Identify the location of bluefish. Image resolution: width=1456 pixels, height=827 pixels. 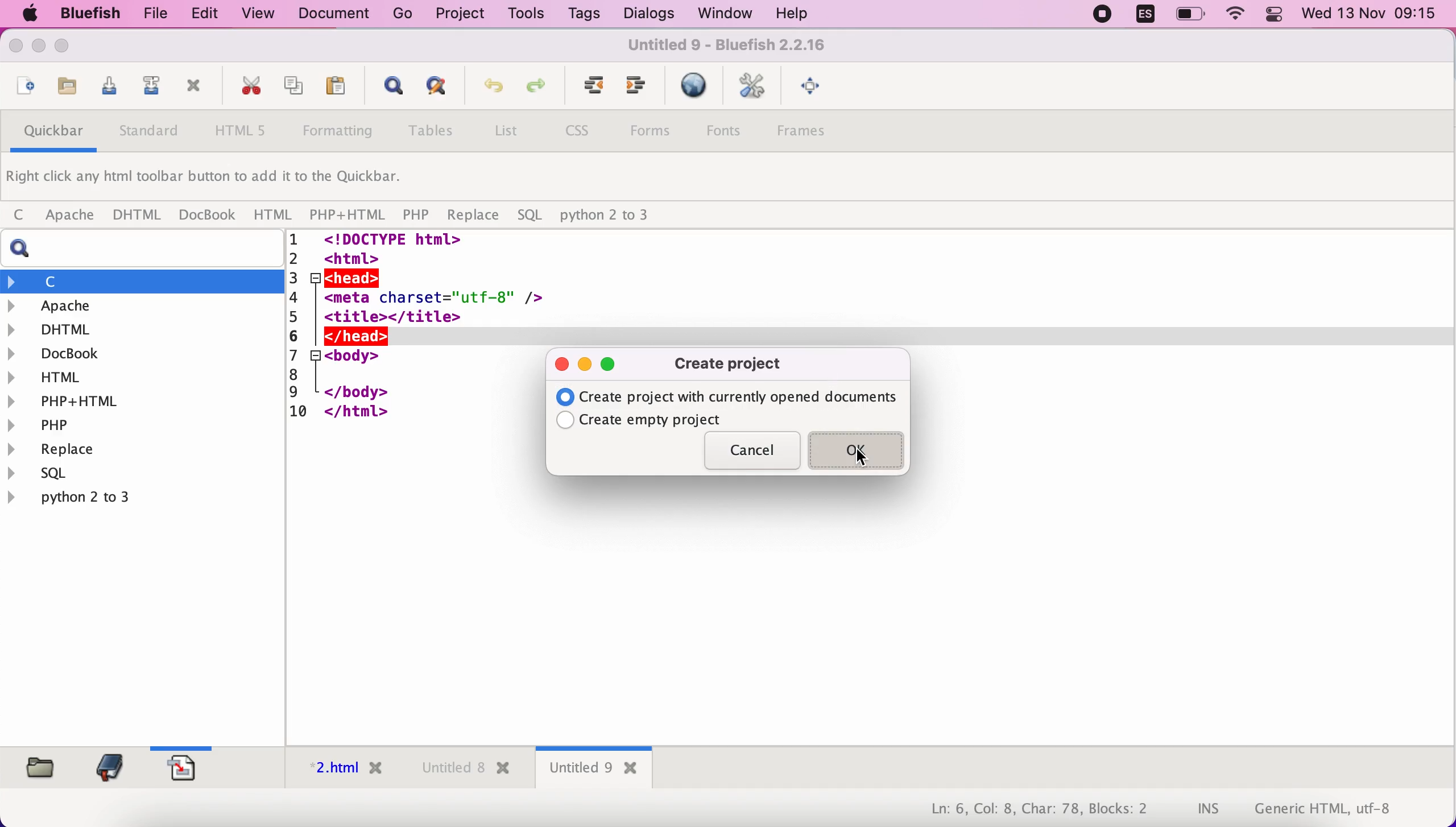
(85, 13).